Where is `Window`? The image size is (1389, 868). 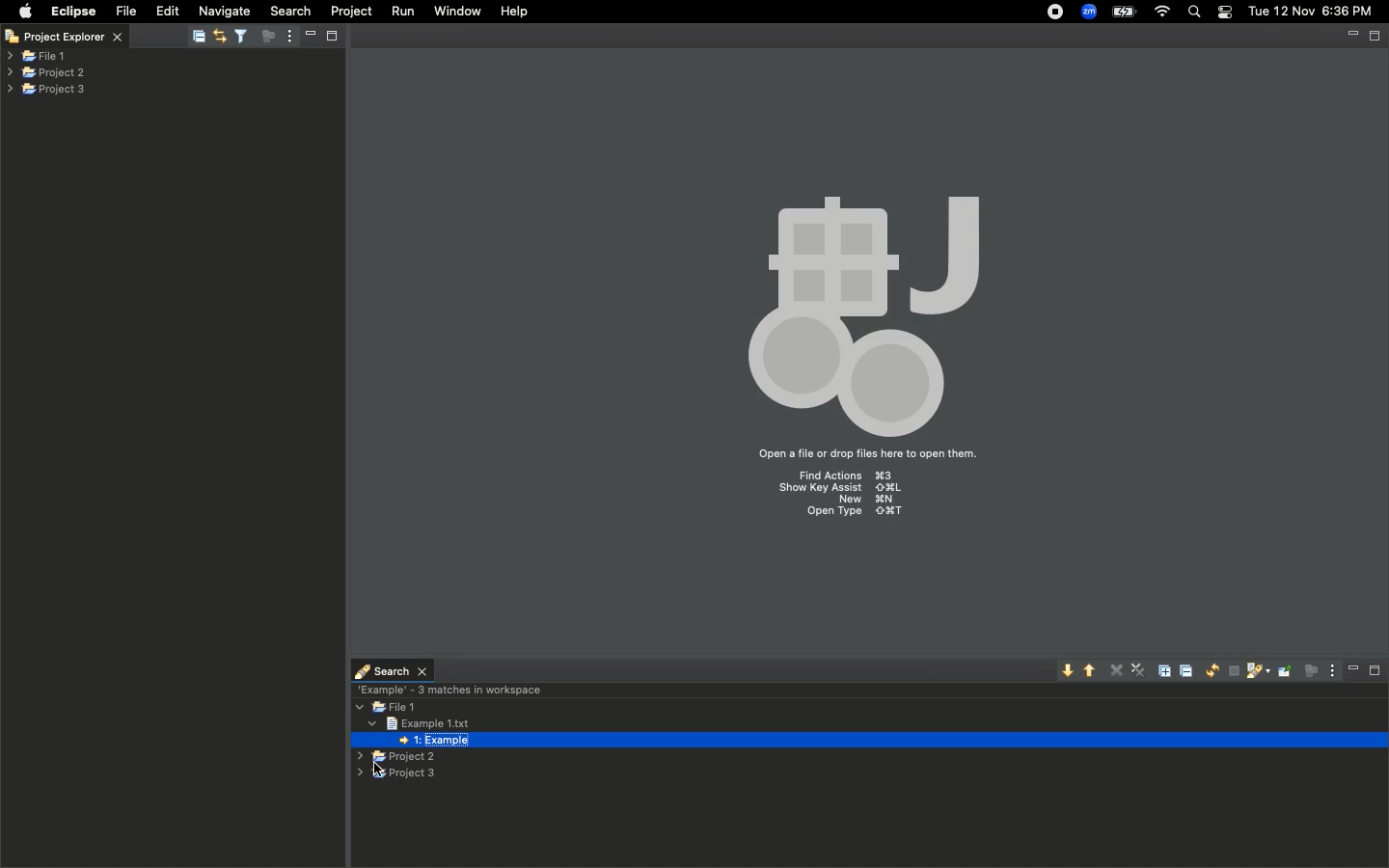
Window is located at coordinates (453, 11).